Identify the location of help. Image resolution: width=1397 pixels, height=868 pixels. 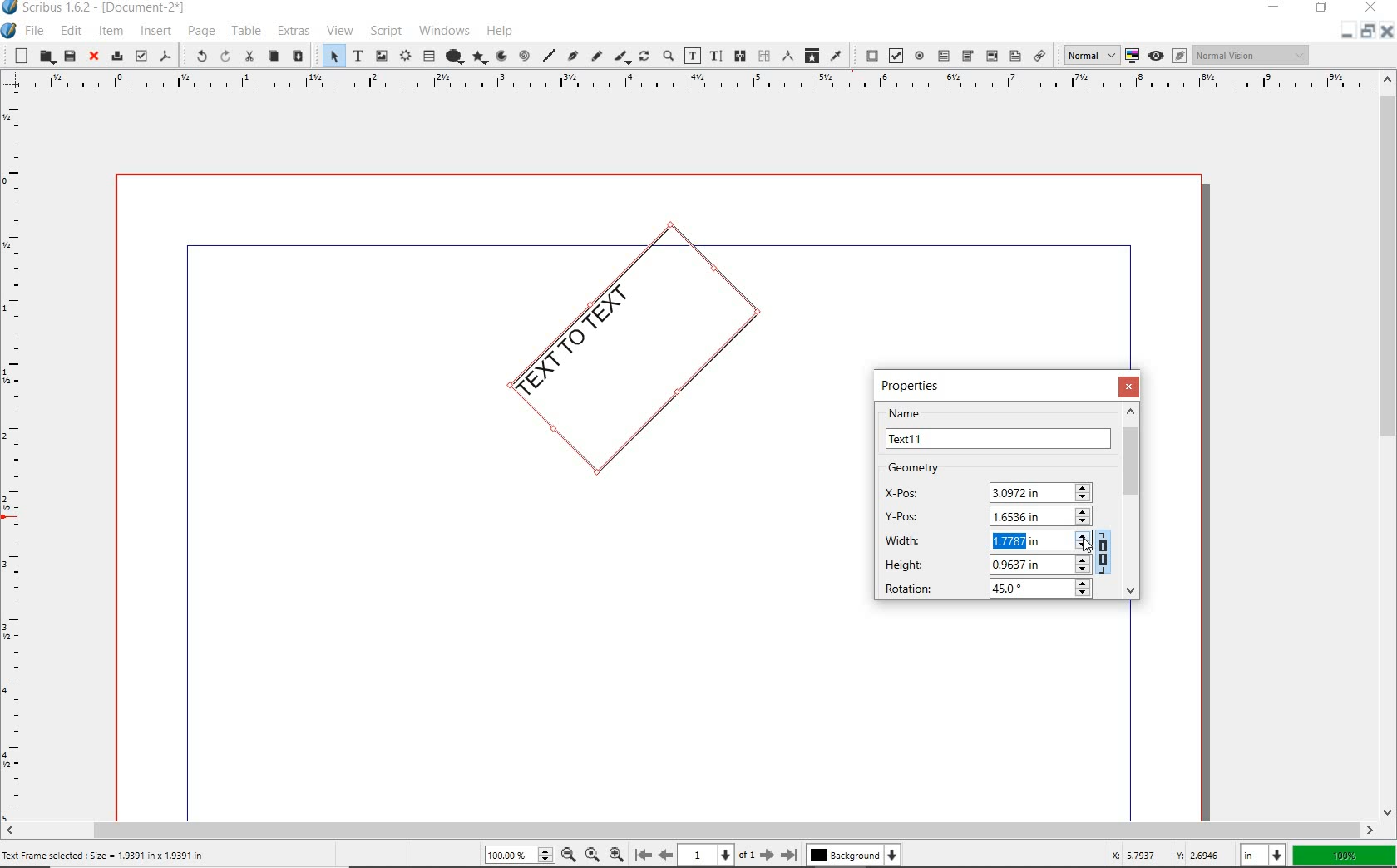
(499, 33).